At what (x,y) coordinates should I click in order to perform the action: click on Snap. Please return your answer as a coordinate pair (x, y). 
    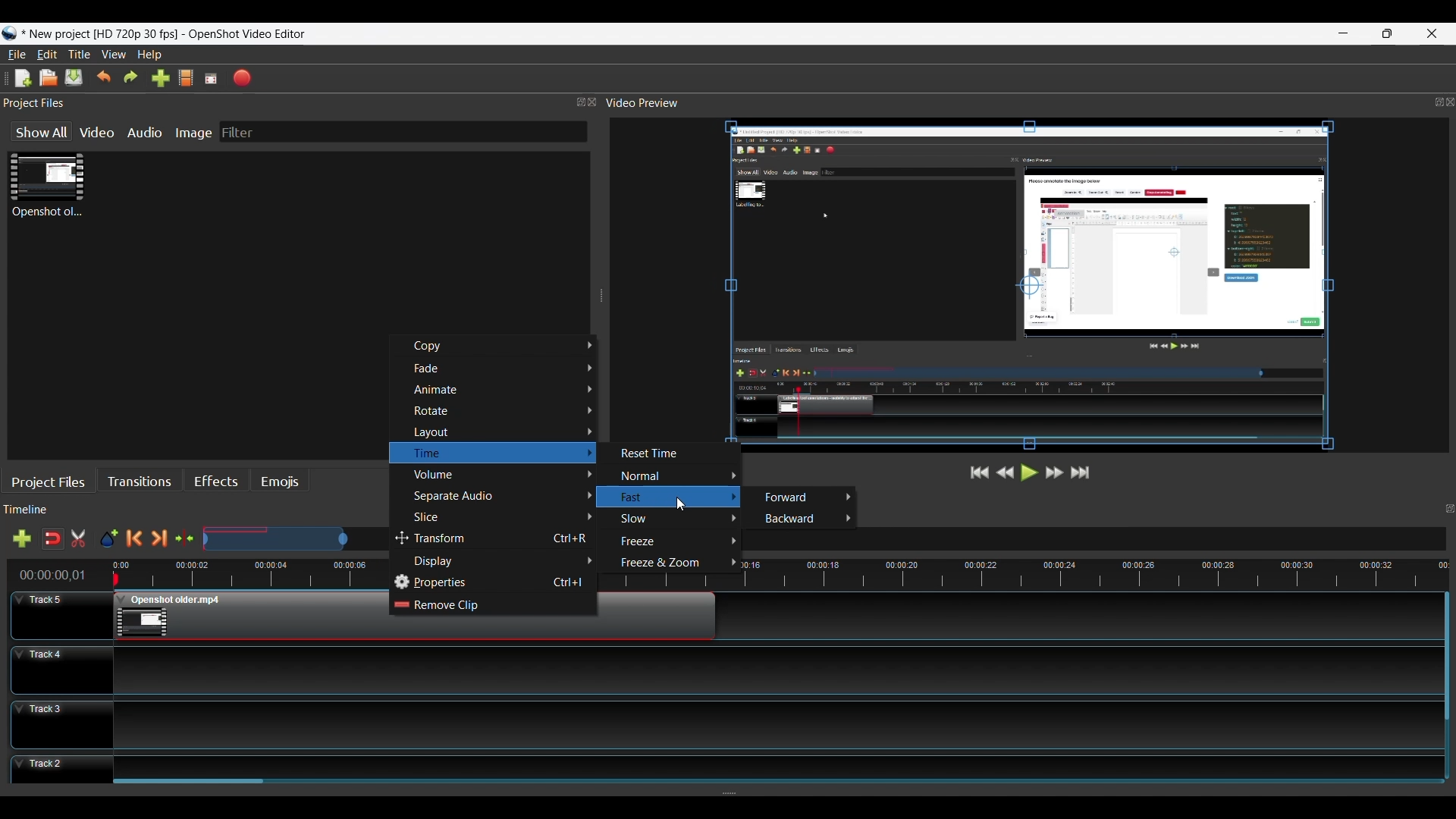
    Looking at the image, I should click on (52, 539).